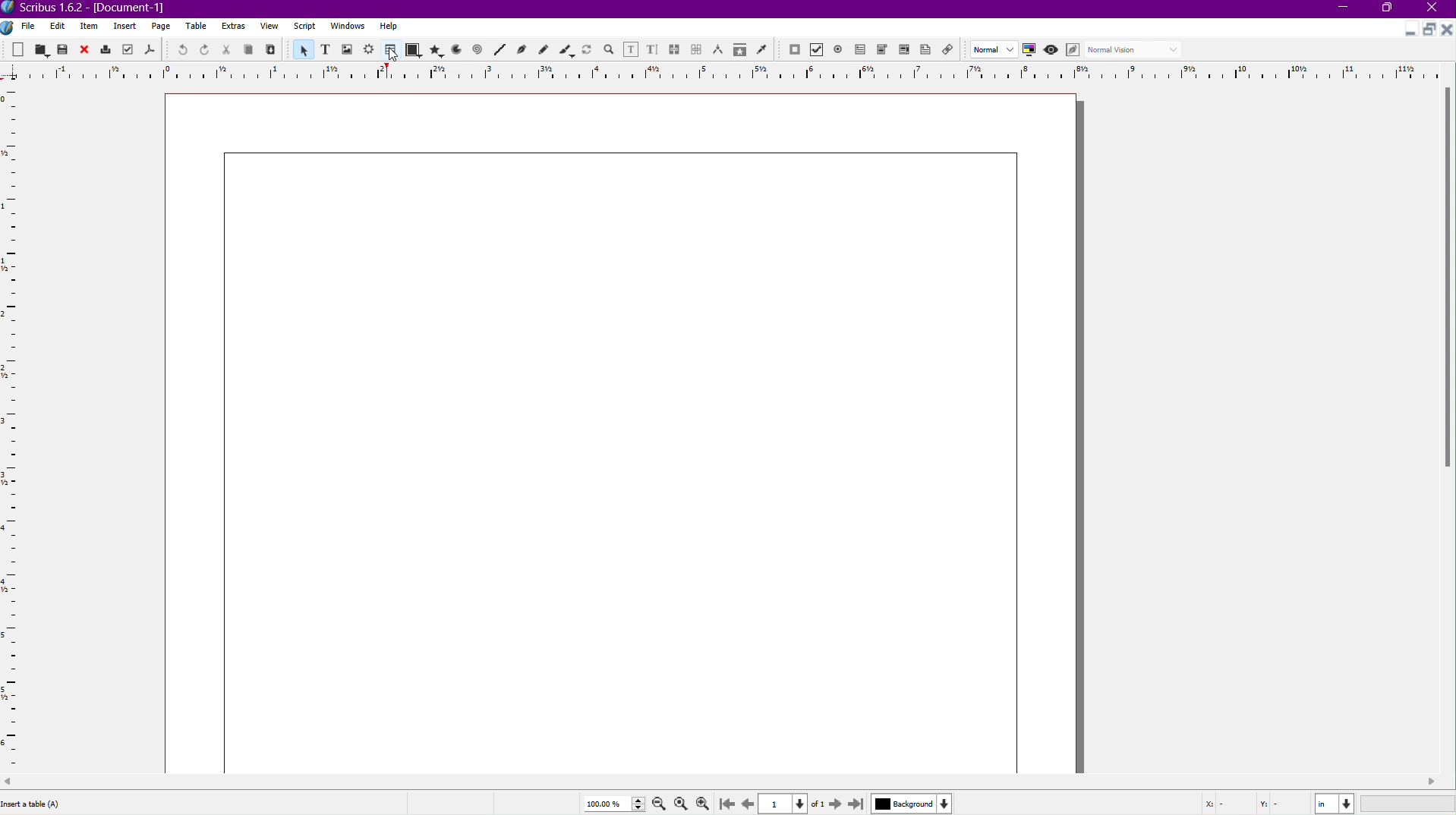 This screenshot has height=815, width=1456. What do you see at coordinates (178, 49) in the screenshot?
I see `Undo` at bounding box center [178, 49].